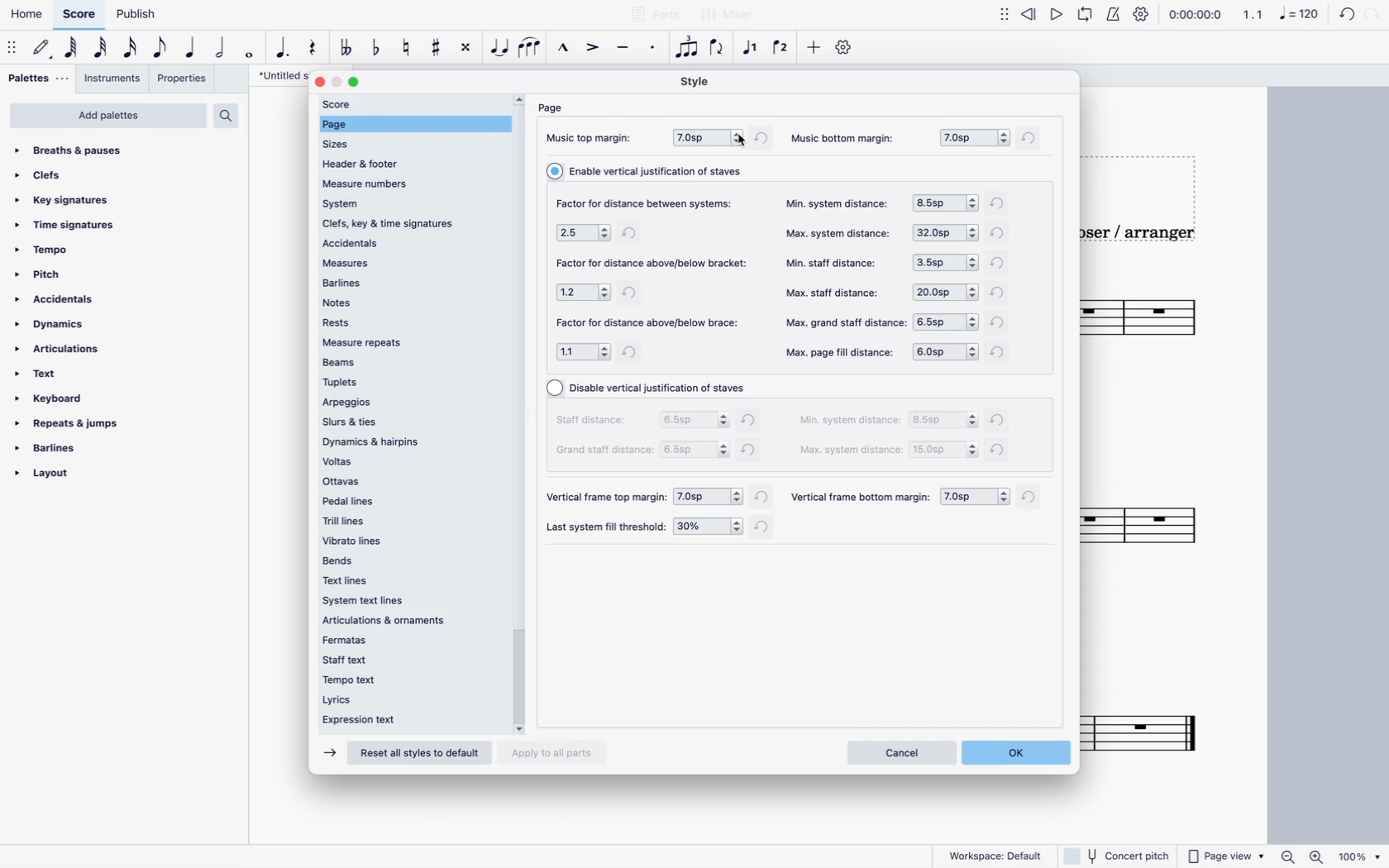 The width and height of the screenshot is (1389, 868). What do you see at coordinates (709, 527) in the screenshot?
I see `options` at bounding box center [709, 527].